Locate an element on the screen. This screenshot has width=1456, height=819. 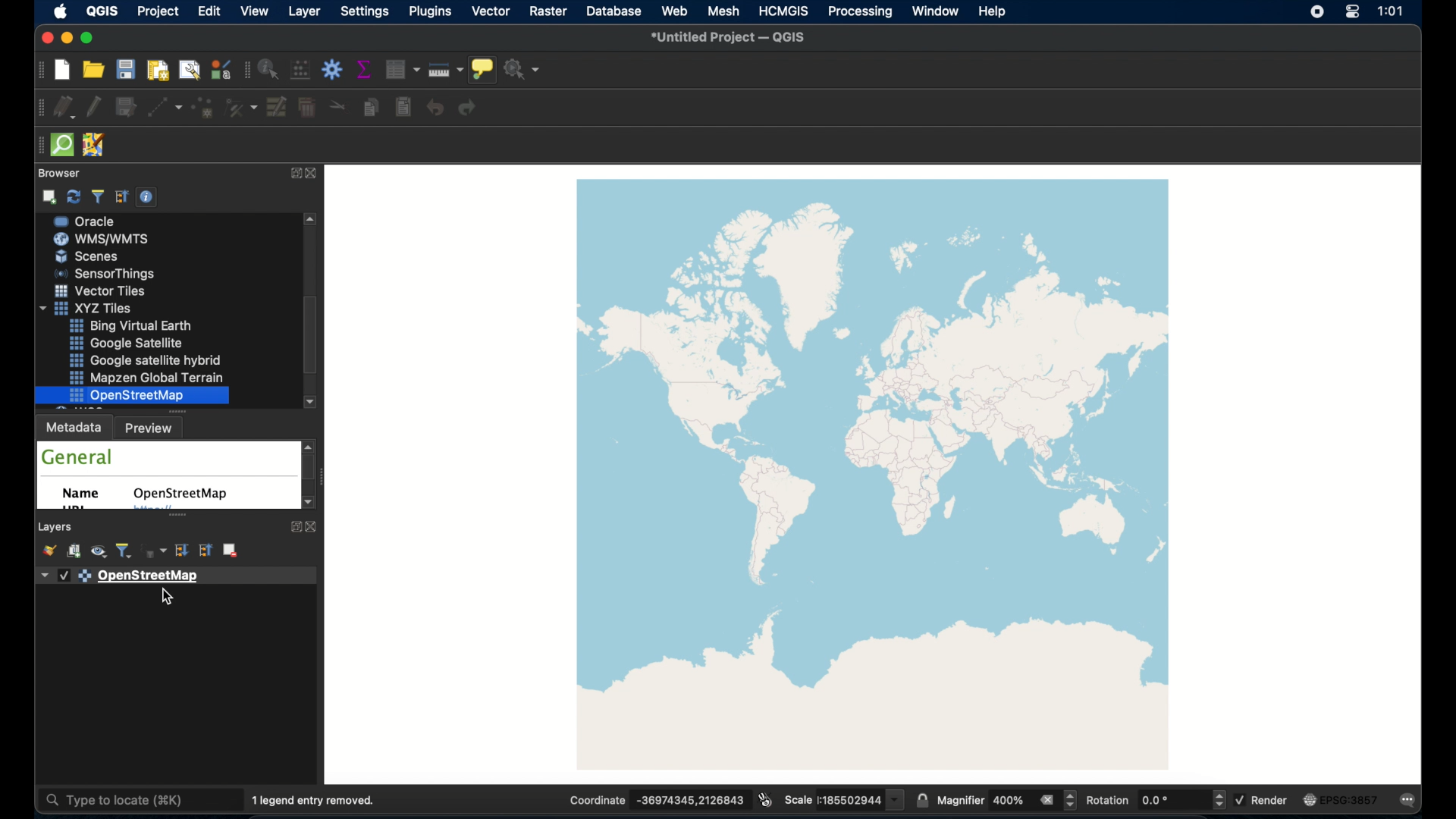
toolbox is located at coordinates (332, 69).